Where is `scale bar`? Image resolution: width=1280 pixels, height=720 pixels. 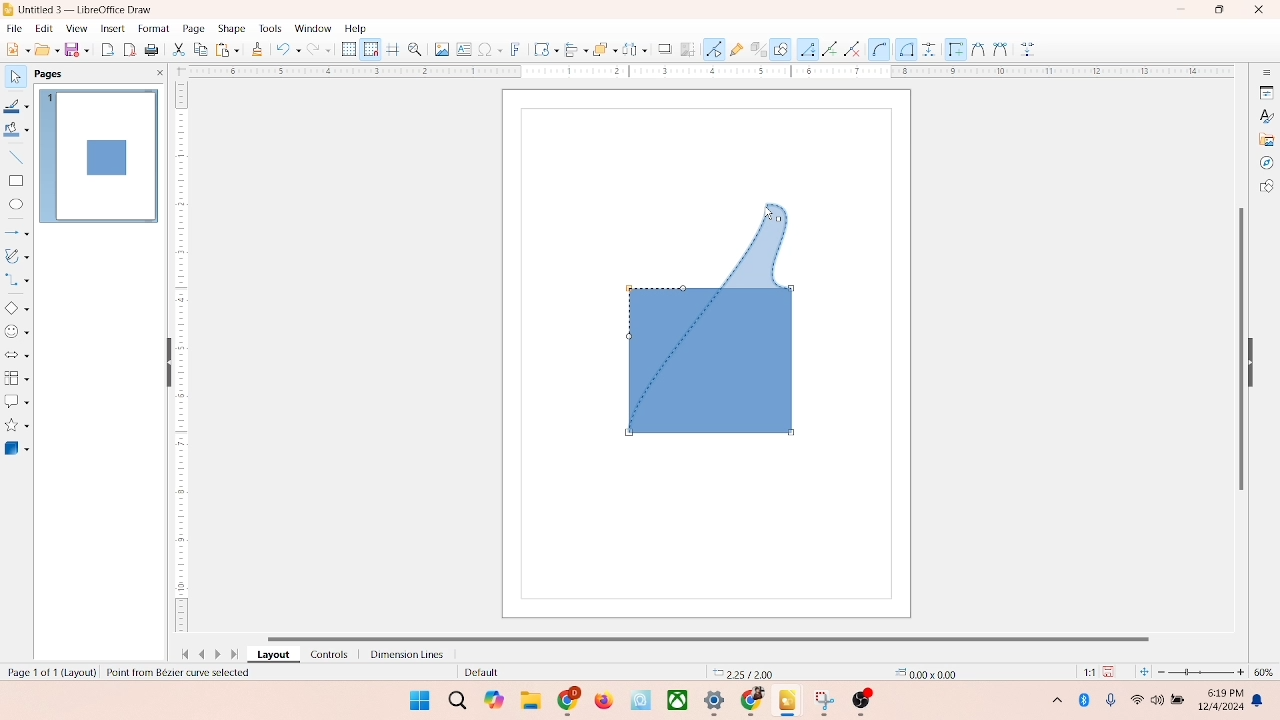
scale bar is located at coordinates (704, 72).